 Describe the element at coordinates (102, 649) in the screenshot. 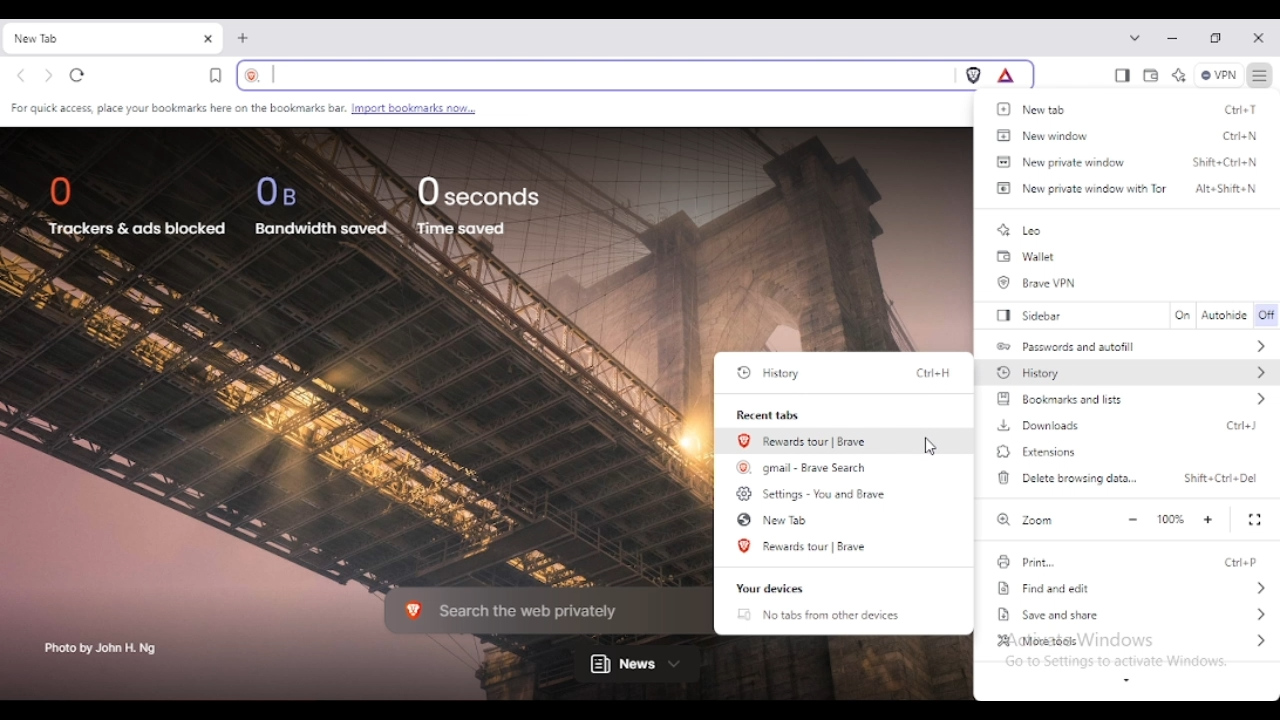

I see `photo by John H. Ng` at that location.